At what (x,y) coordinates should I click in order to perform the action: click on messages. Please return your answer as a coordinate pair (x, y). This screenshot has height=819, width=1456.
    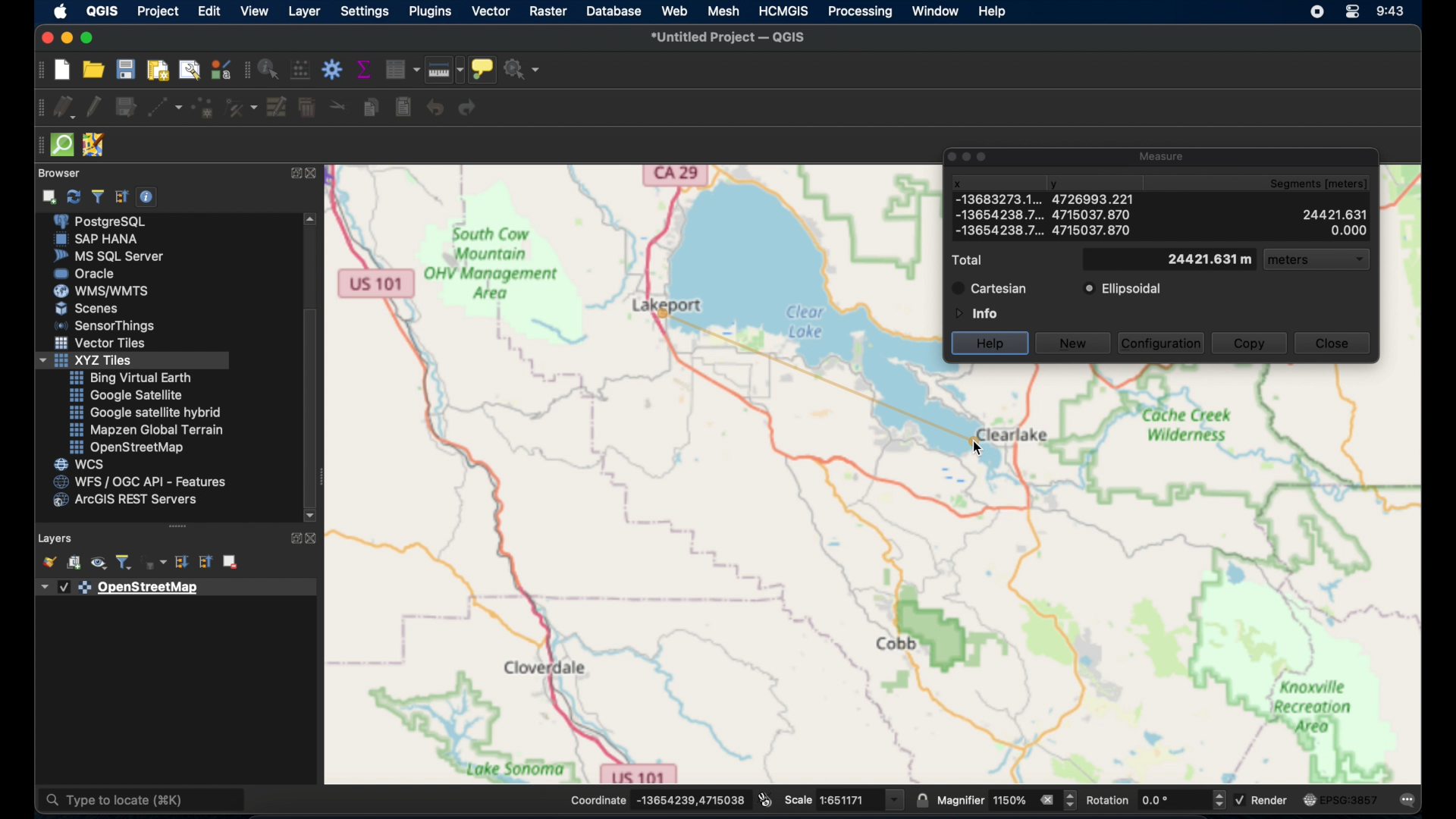
    Looking at the image, I should click on (1409, 801).